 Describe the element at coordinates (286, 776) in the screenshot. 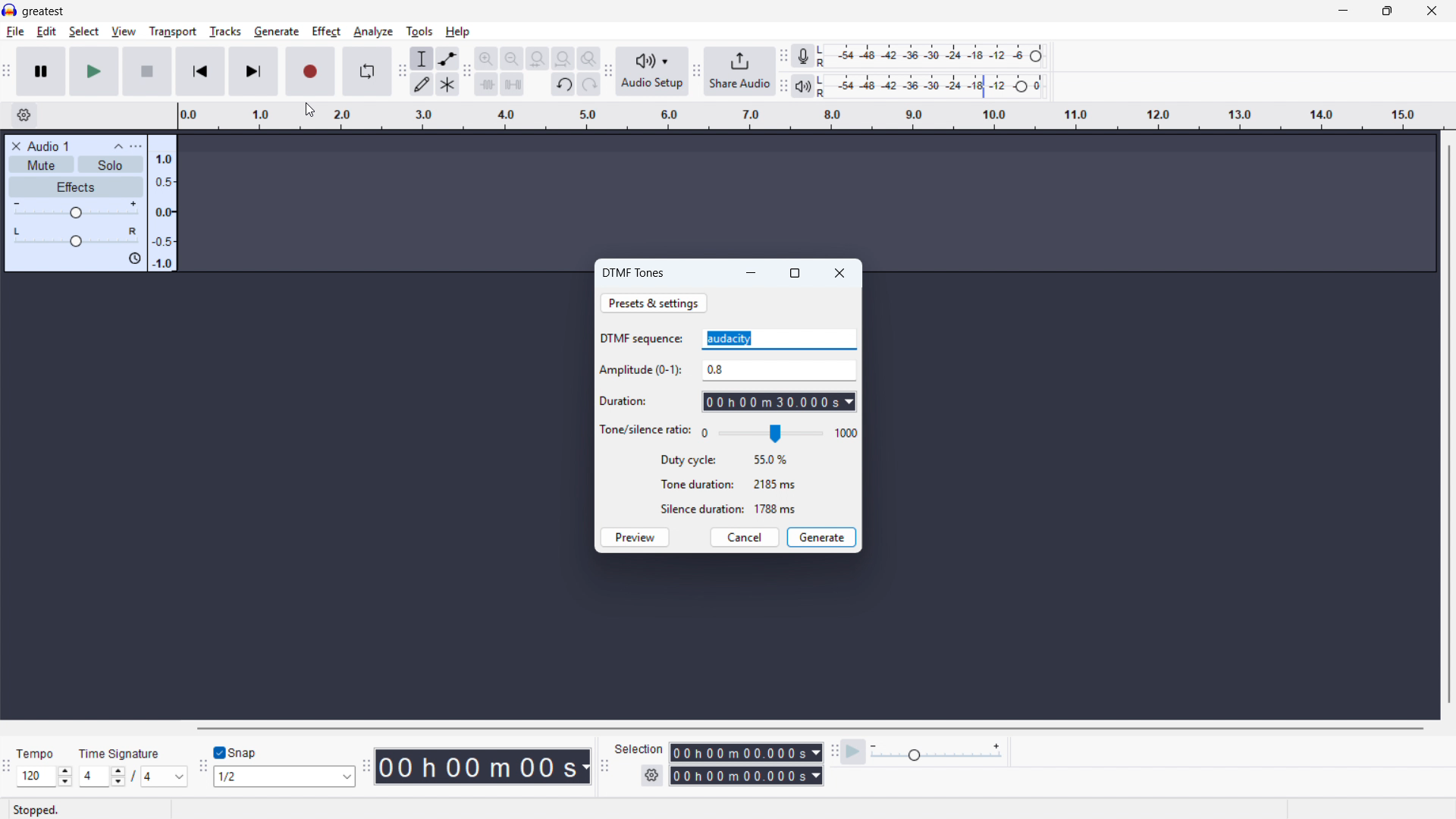

I see `Select snapping ` at that location.